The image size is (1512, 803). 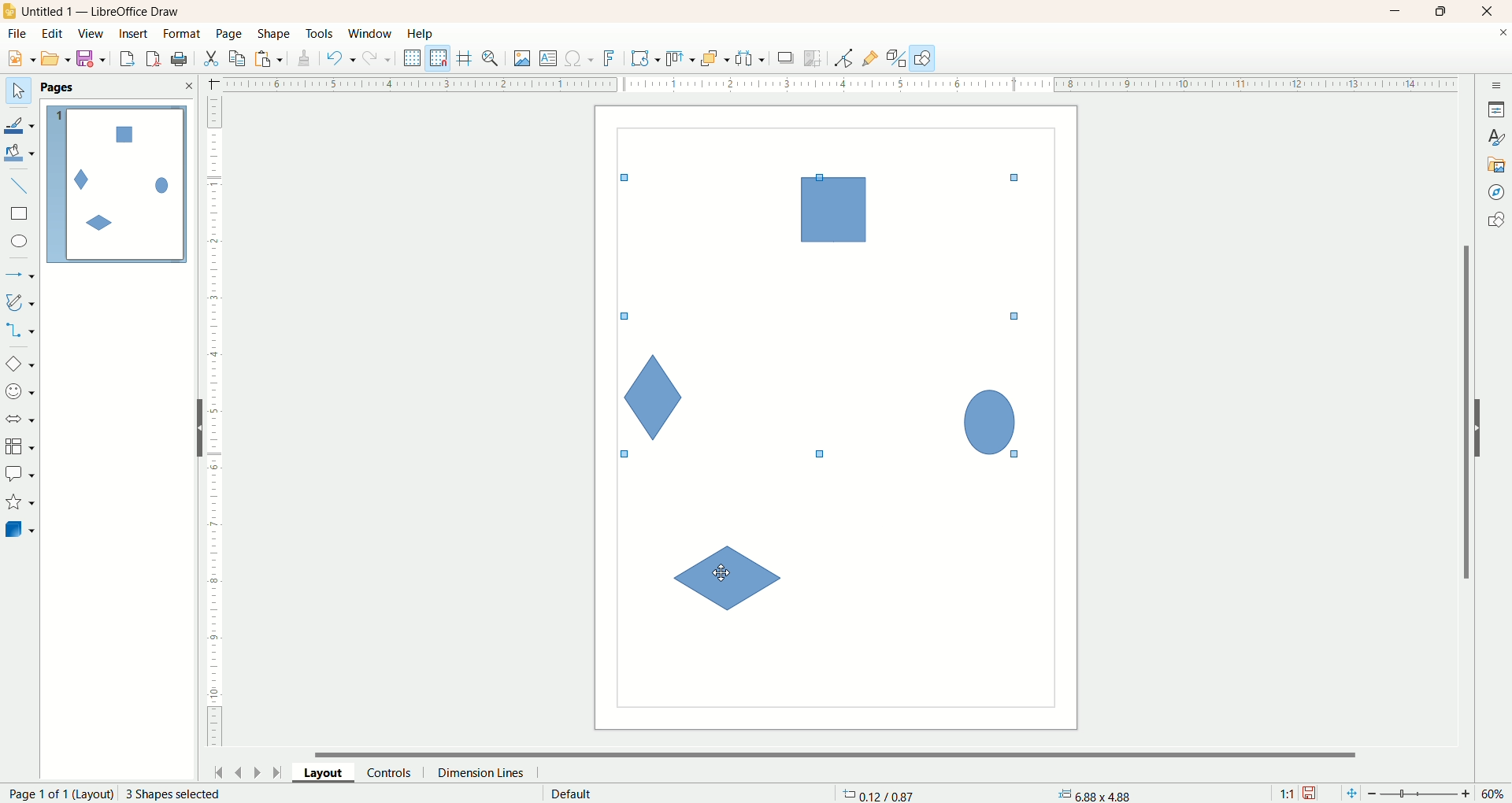 What do you see at coordinates (181, 60) in the screenshot?
I see `export as PDF` at bounding box center [181, 60].